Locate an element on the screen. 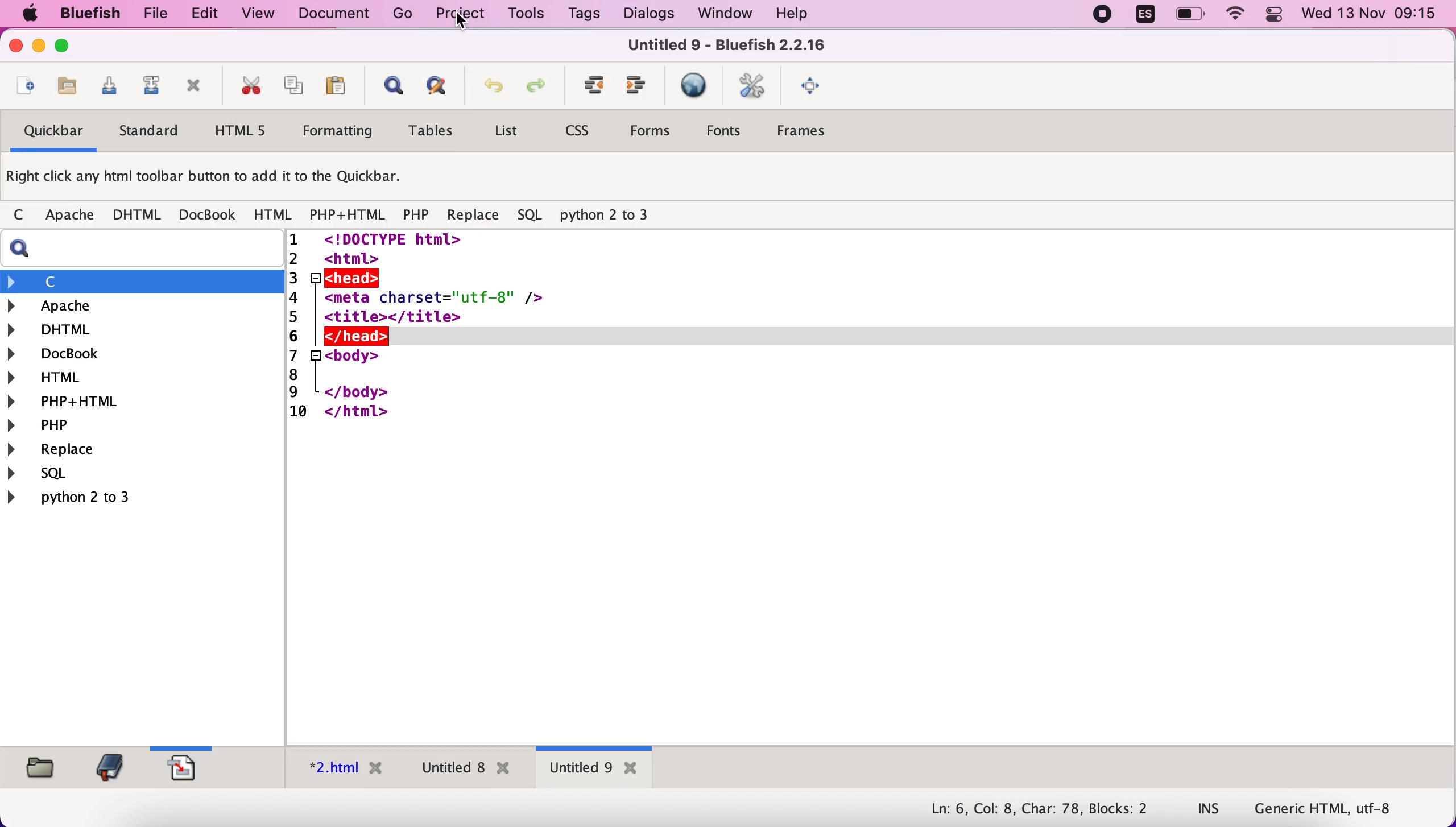  preview in browser is located at coordinates (693, 86).